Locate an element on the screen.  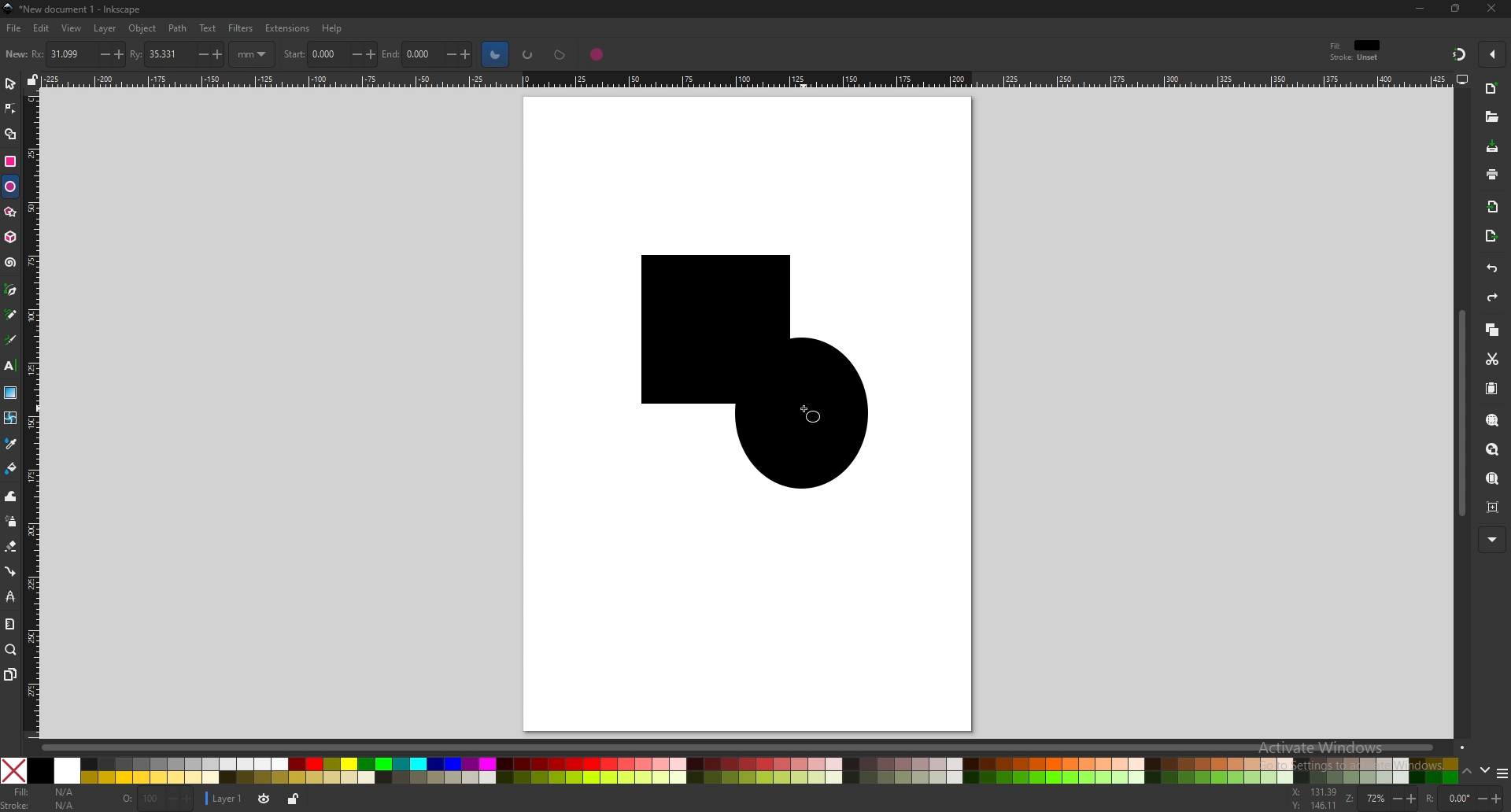
mesh is located at coordinates (11, 417).